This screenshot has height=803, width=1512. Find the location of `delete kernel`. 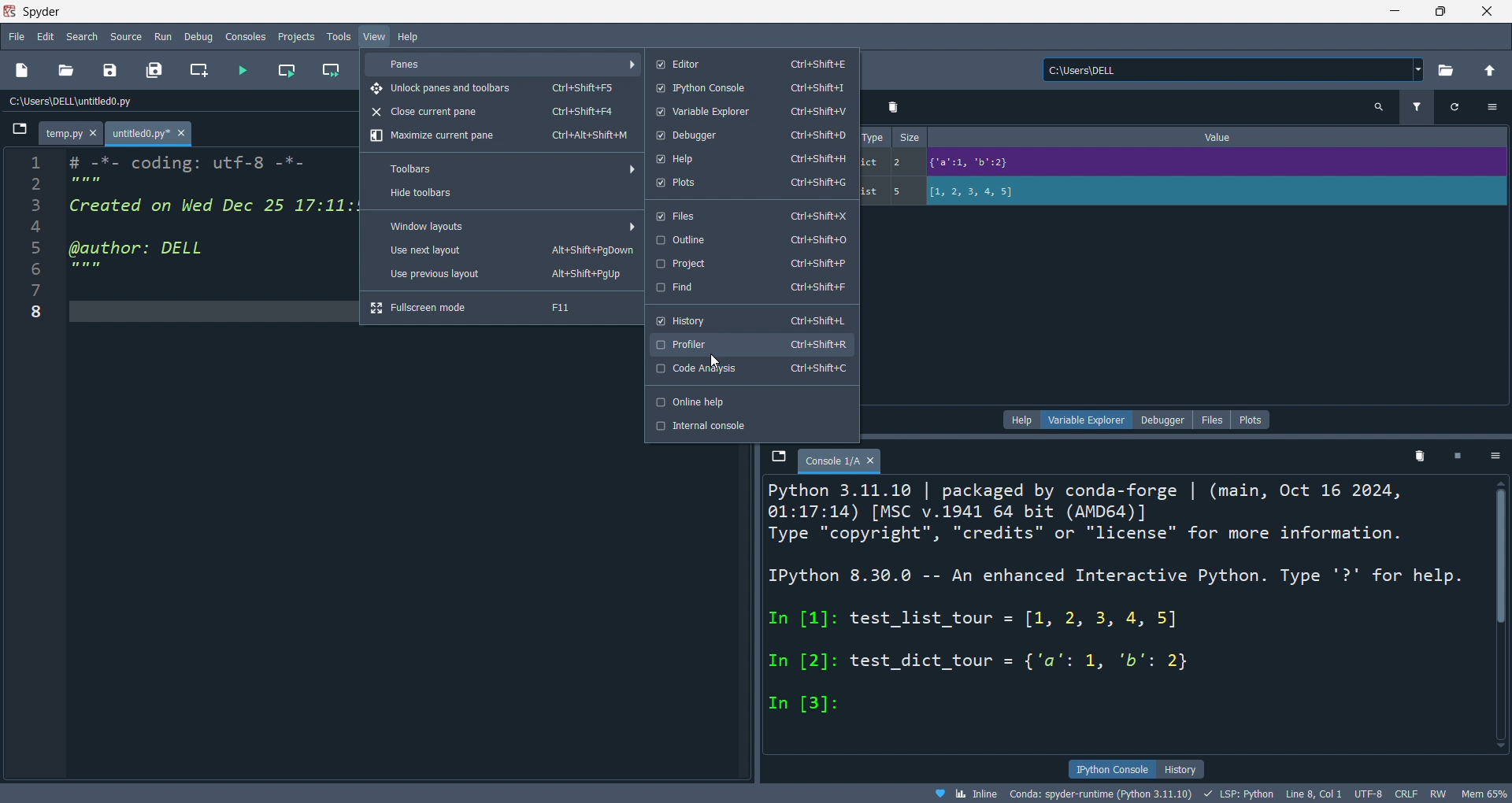

delete kernel is located at coordinates (1457, 458).